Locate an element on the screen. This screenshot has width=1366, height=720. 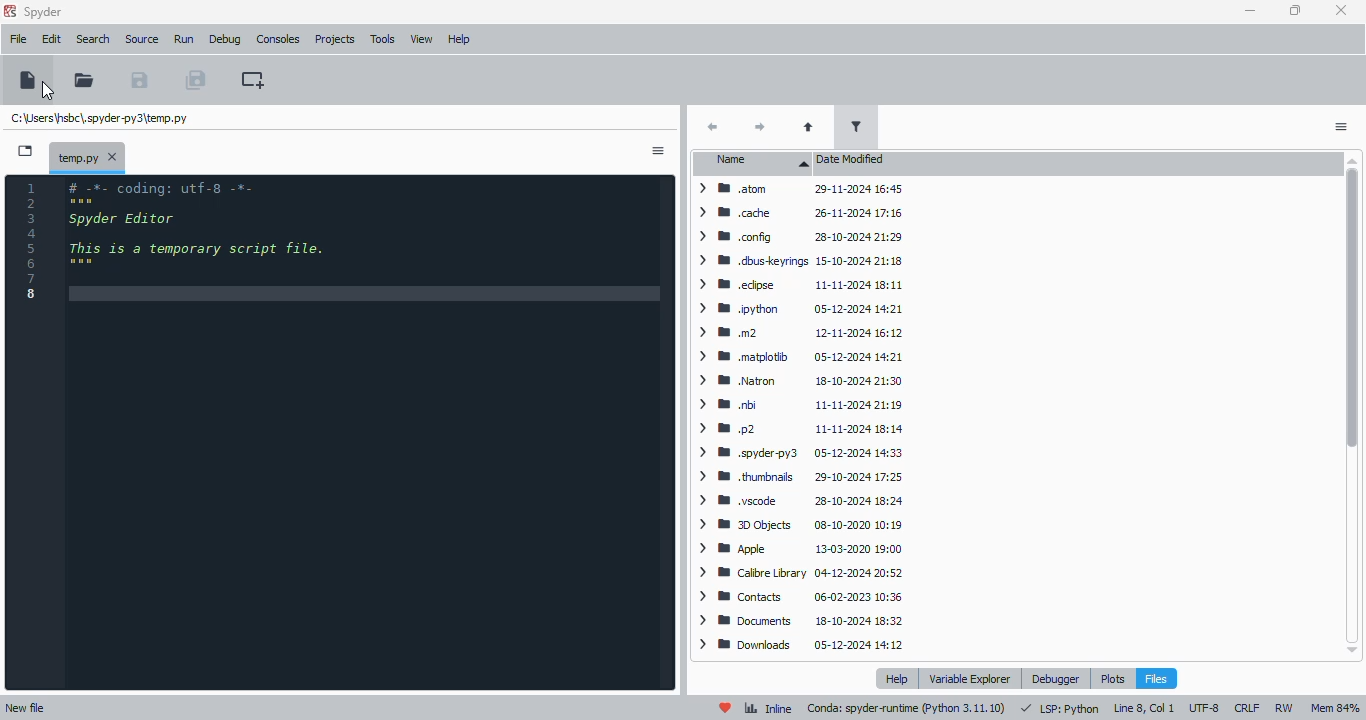
edit is located at coordinates (52, 39).